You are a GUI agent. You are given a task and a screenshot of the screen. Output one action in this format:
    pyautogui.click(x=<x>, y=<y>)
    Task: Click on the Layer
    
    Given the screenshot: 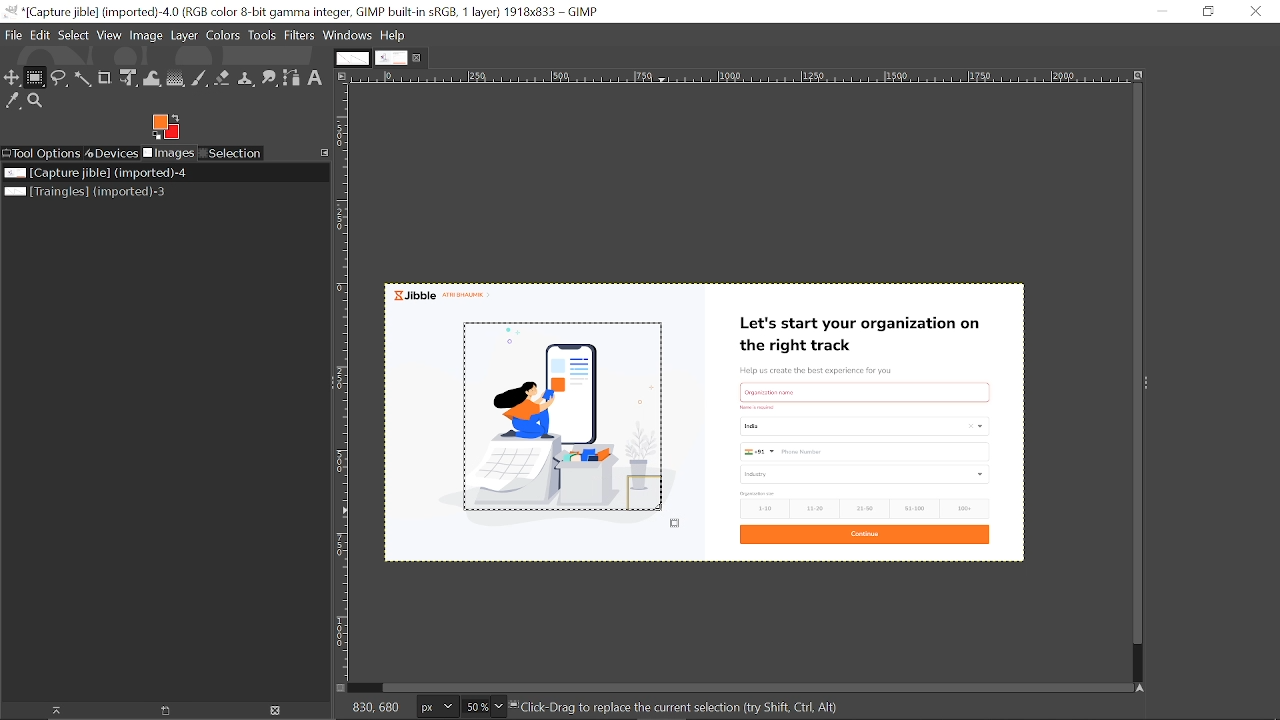 What is the action you would take?
    pyautogui.click(x=186, y=37)
    